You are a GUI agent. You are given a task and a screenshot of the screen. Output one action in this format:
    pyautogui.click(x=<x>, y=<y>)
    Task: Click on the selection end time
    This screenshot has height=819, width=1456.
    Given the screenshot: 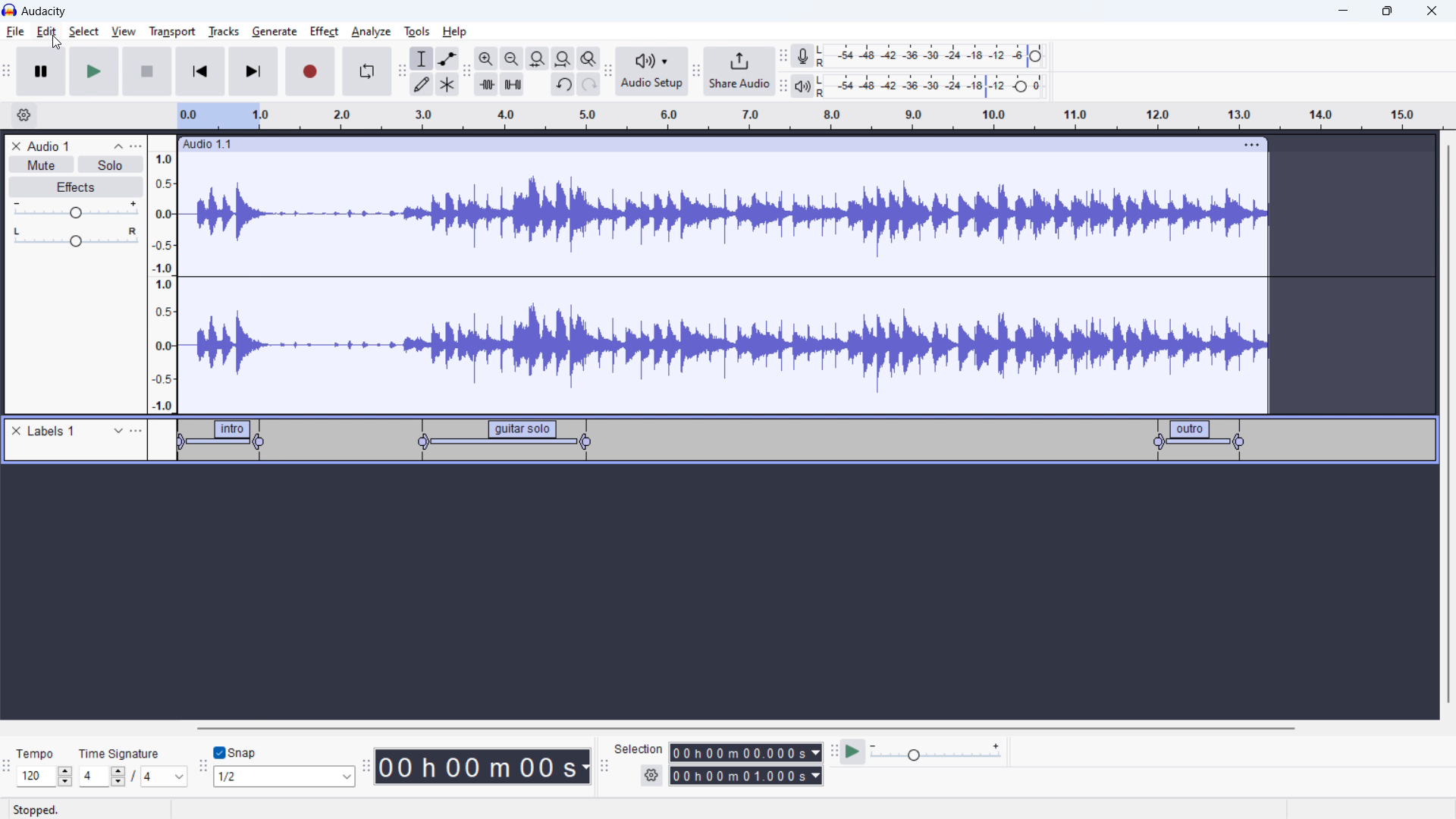 What is the action you would take?
    pyautogui.click(x=747, y=776)
    